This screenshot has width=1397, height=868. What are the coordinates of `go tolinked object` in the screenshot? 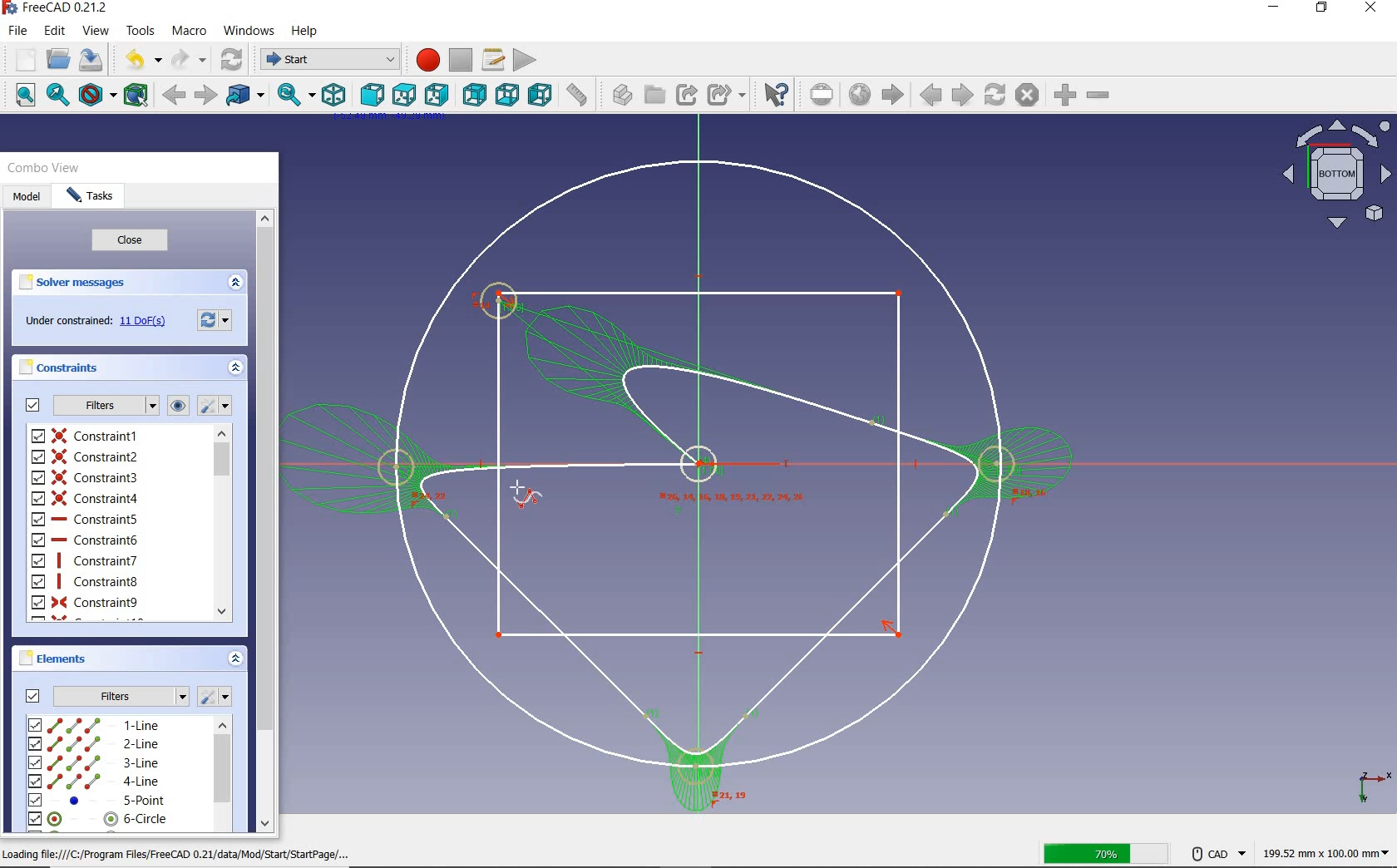 It's located at (246, 94).